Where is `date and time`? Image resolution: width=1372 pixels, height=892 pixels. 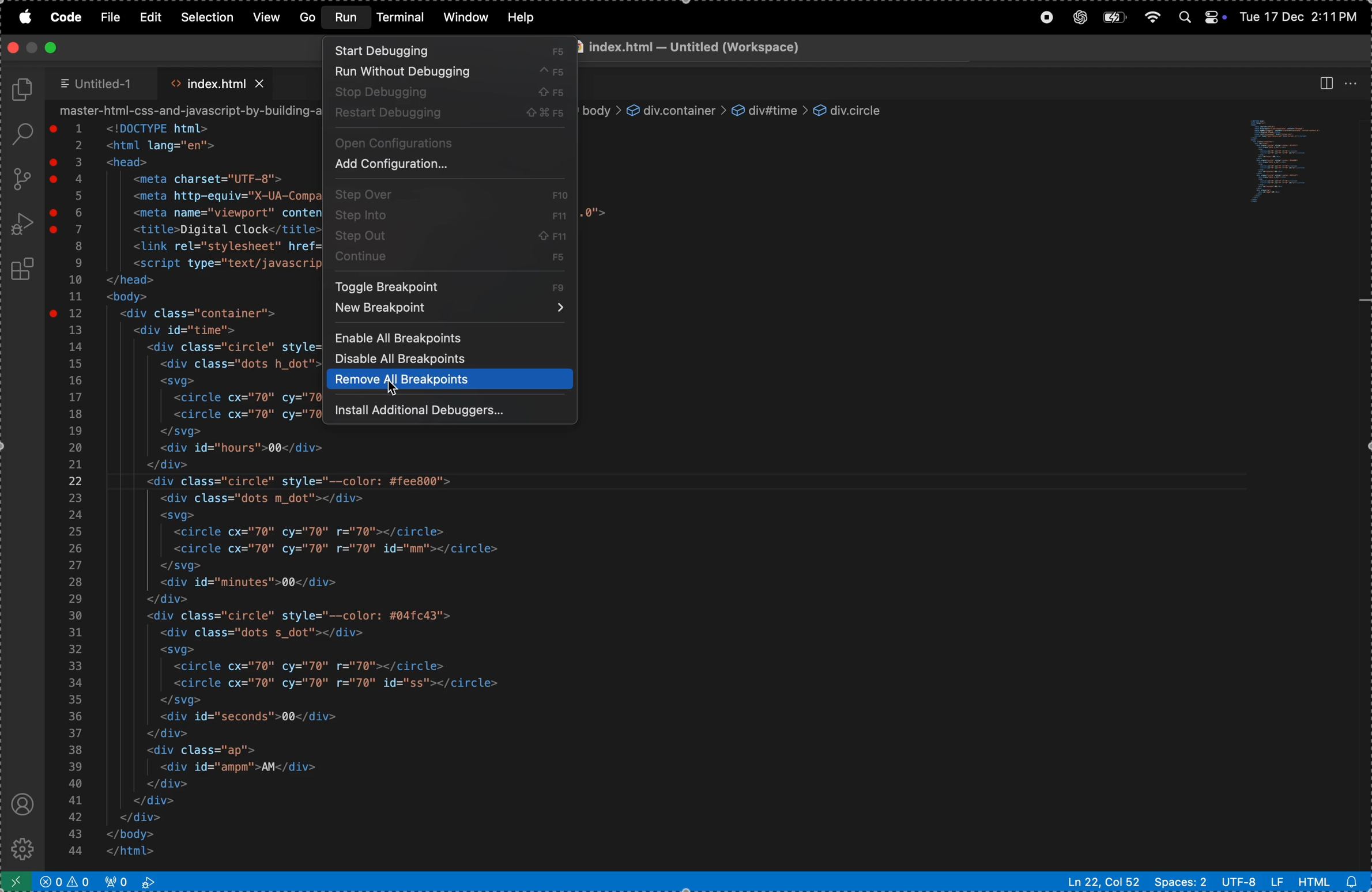
date and time is located at coordinates (1301, 16).